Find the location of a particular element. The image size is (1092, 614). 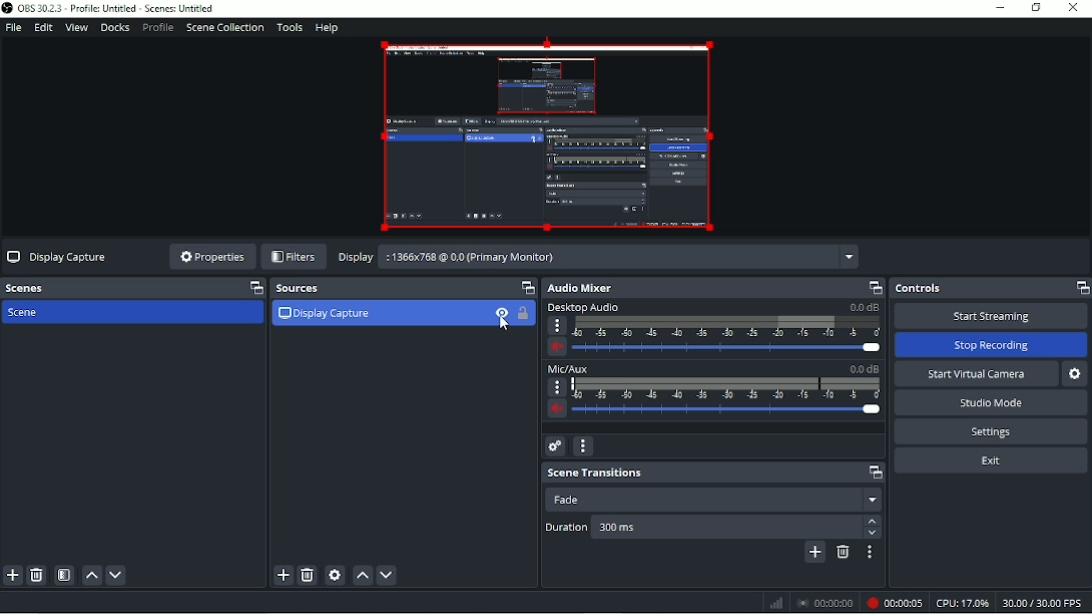

Display capture is located at coordinates (326, 312).